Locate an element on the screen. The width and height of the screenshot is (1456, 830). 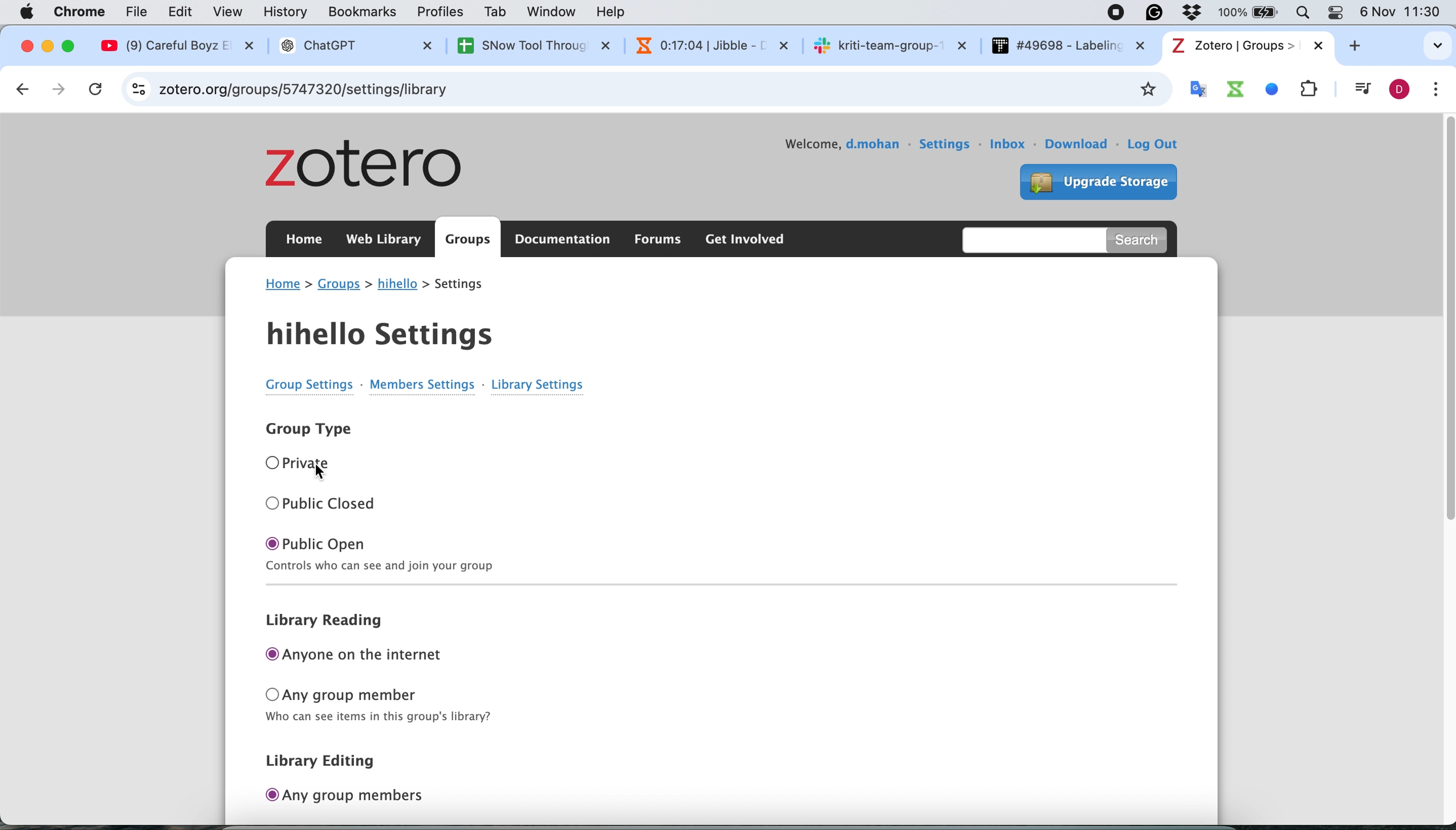
groups is located at coordinates (340, 285).